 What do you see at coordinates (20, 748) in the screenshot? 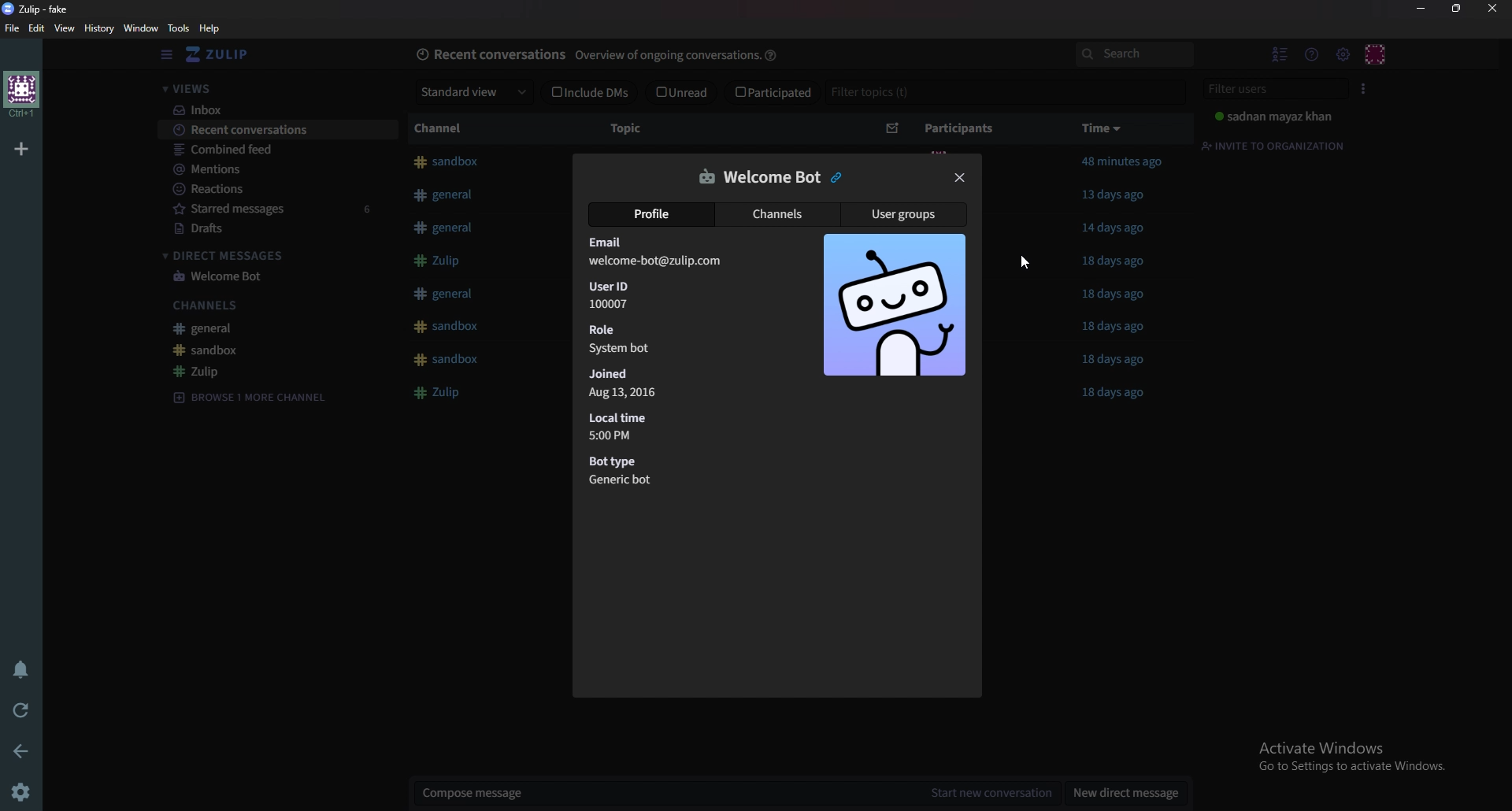
I see `back` at bounding box center [20, 748].